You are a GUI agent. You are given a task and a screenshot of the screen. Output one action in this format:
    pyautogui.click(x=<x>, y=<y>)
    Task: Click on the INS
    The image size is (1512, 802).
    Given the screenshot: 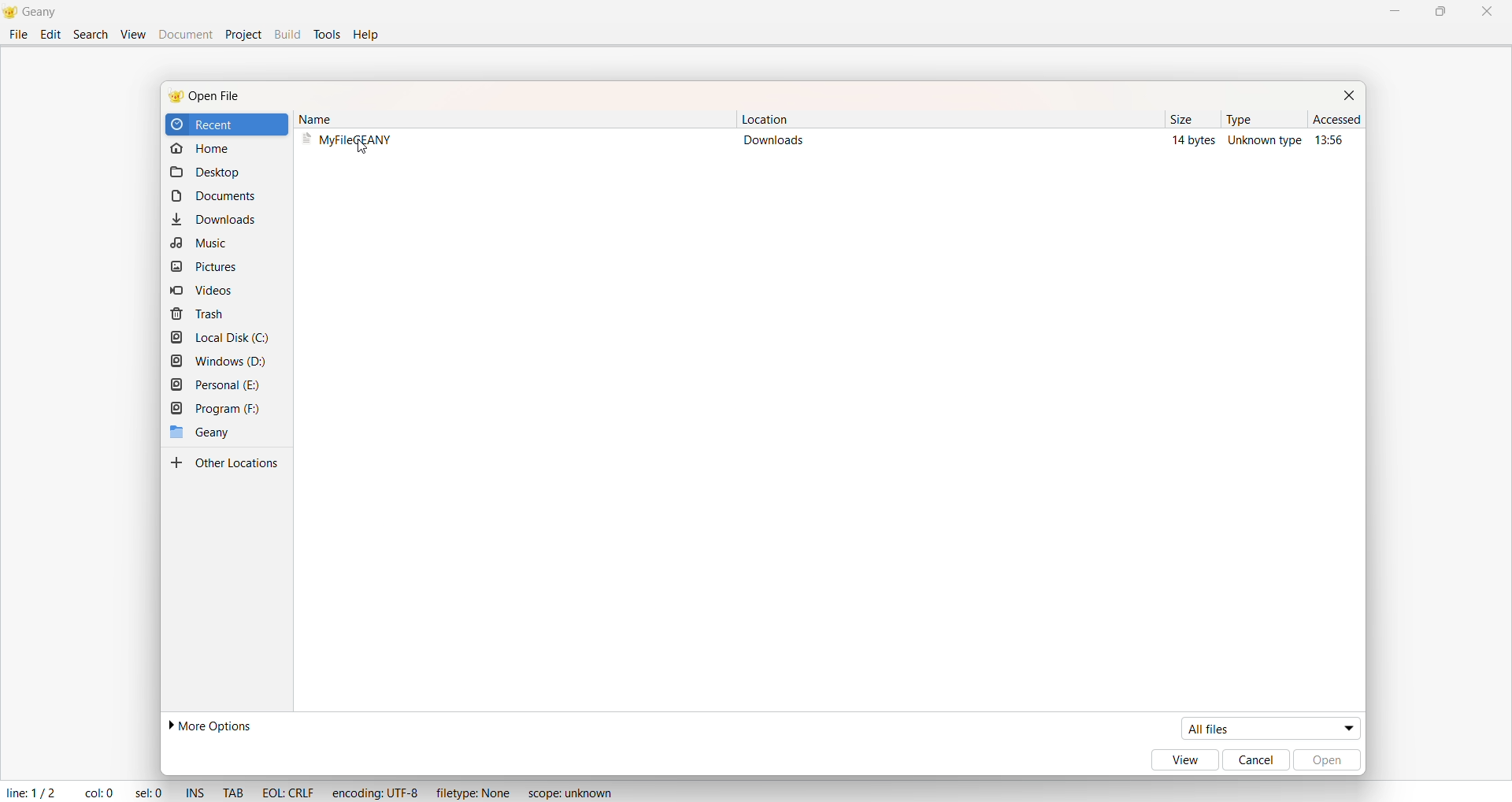 What is the action you would take?
    pyautogui.click(x=195, y=793)
    